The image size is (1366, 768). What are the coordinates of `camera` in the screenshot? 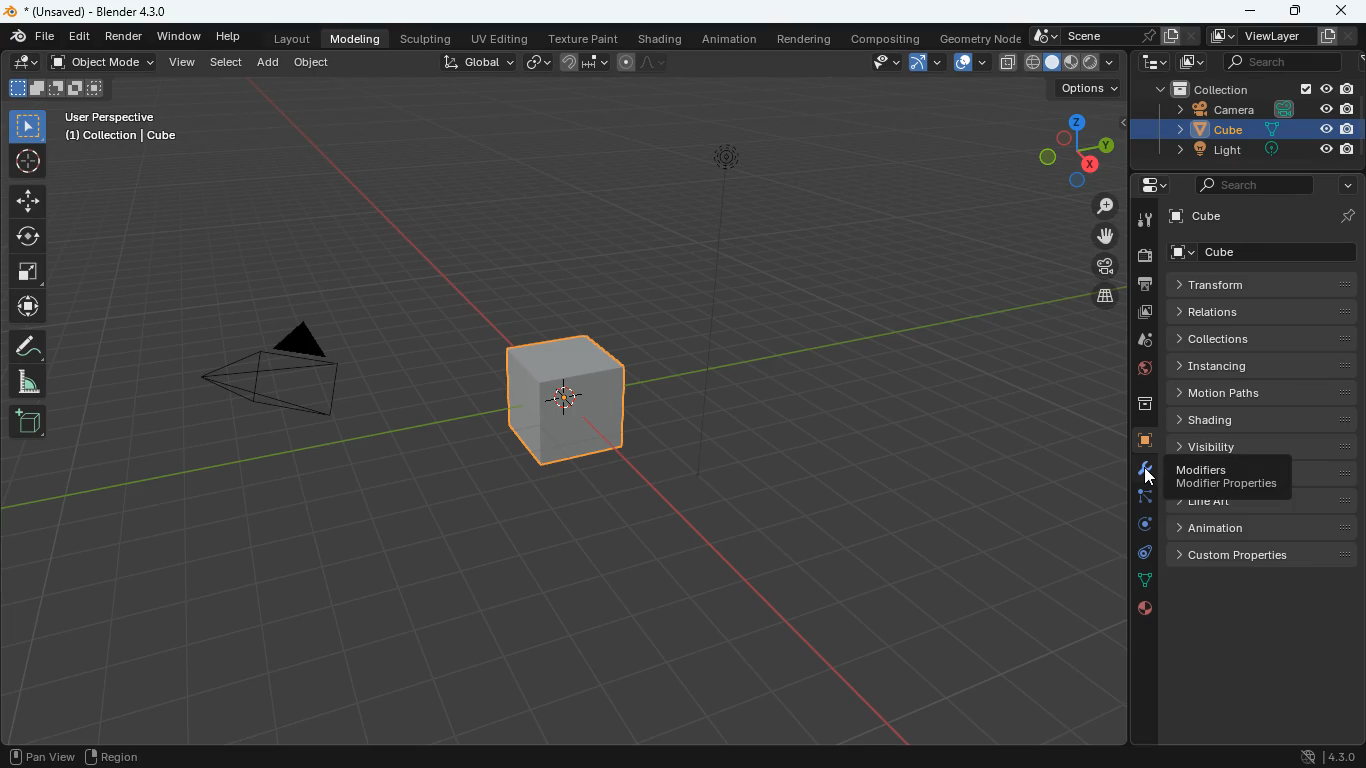 It's located at (1096, 266).